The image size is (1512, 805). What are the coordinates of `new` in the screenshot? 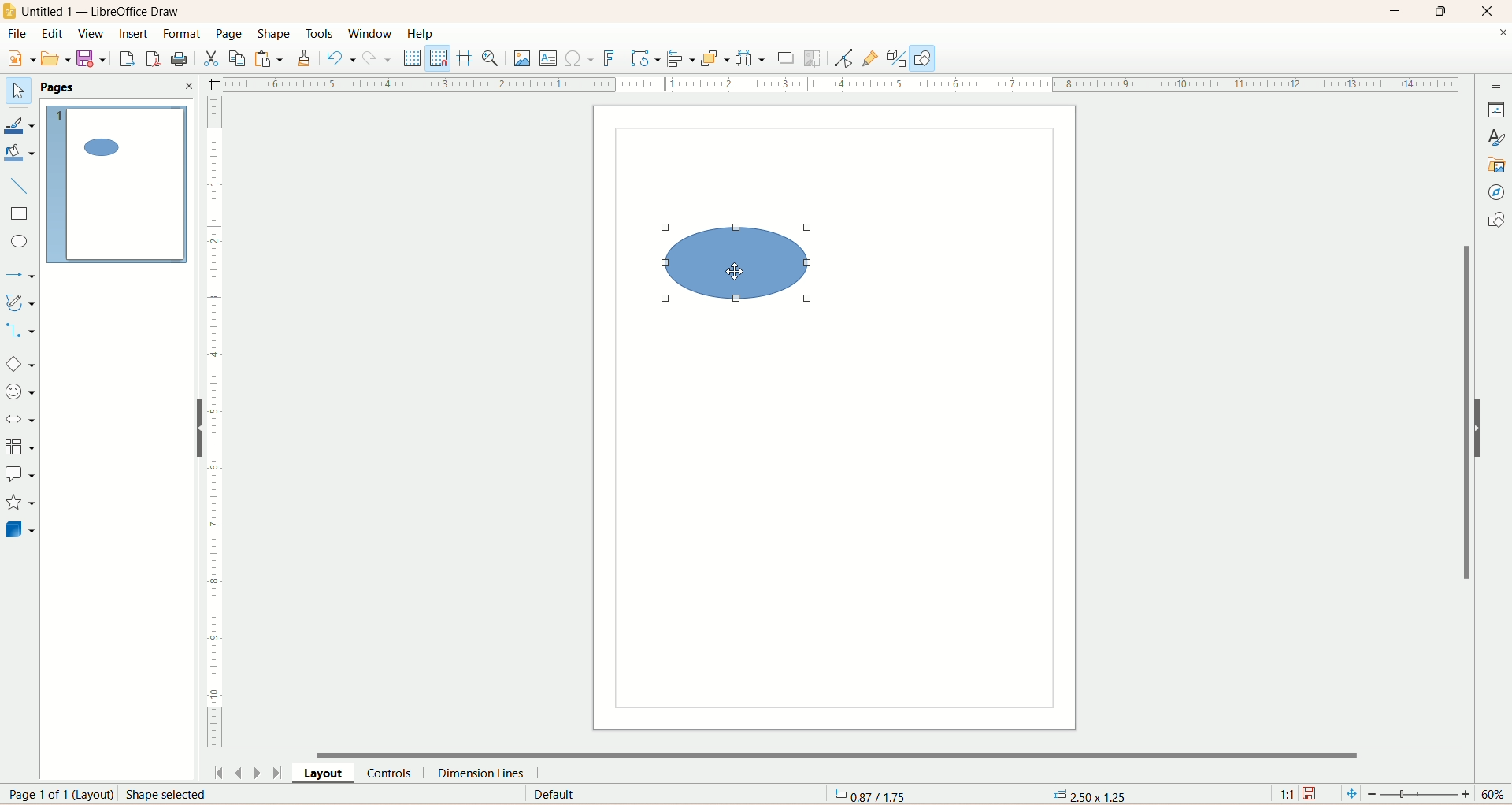 It's located at (23, 59).